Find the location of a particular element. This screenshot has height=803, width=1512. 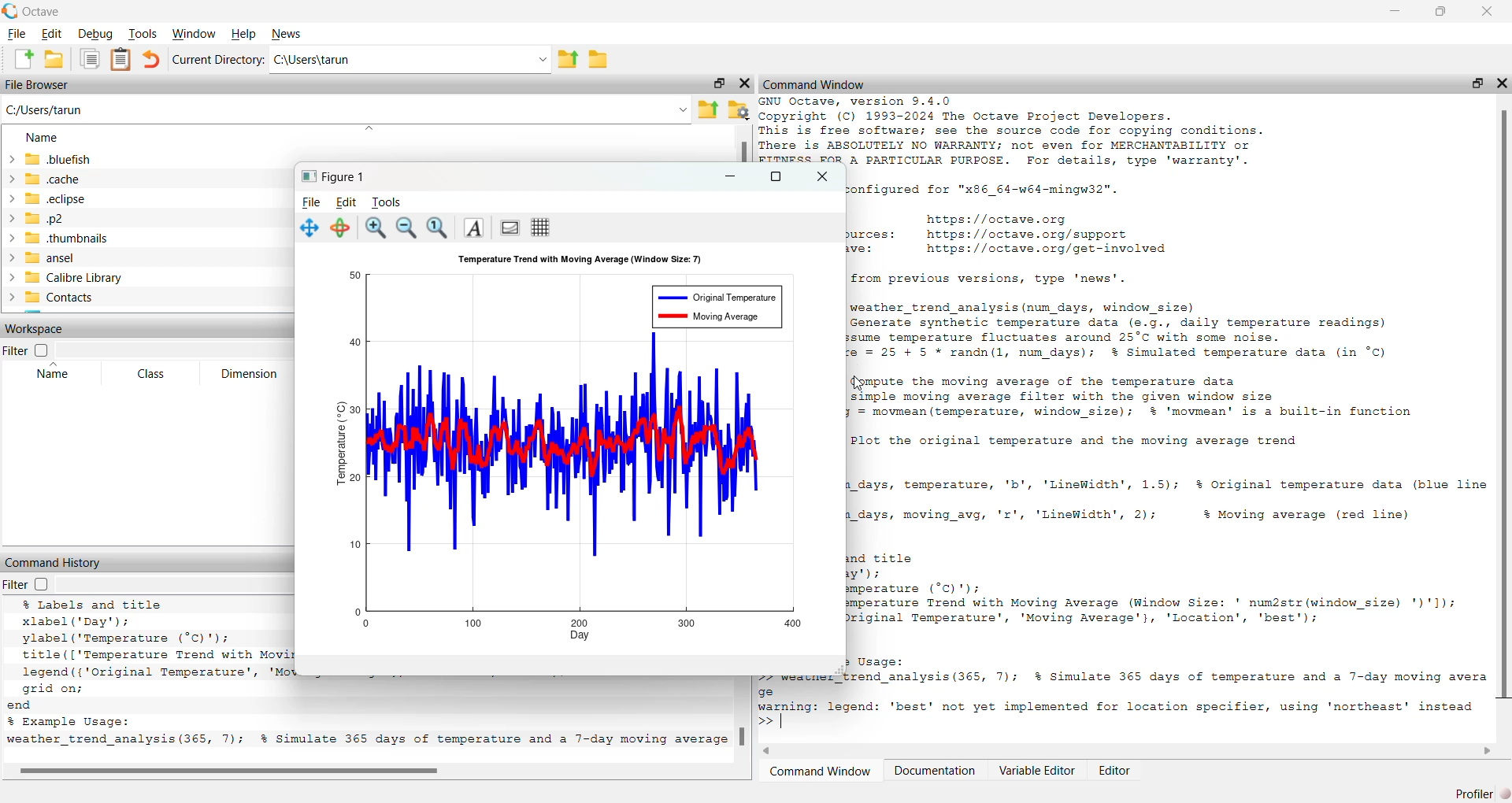

Filter is located at coordinates (24, 584).